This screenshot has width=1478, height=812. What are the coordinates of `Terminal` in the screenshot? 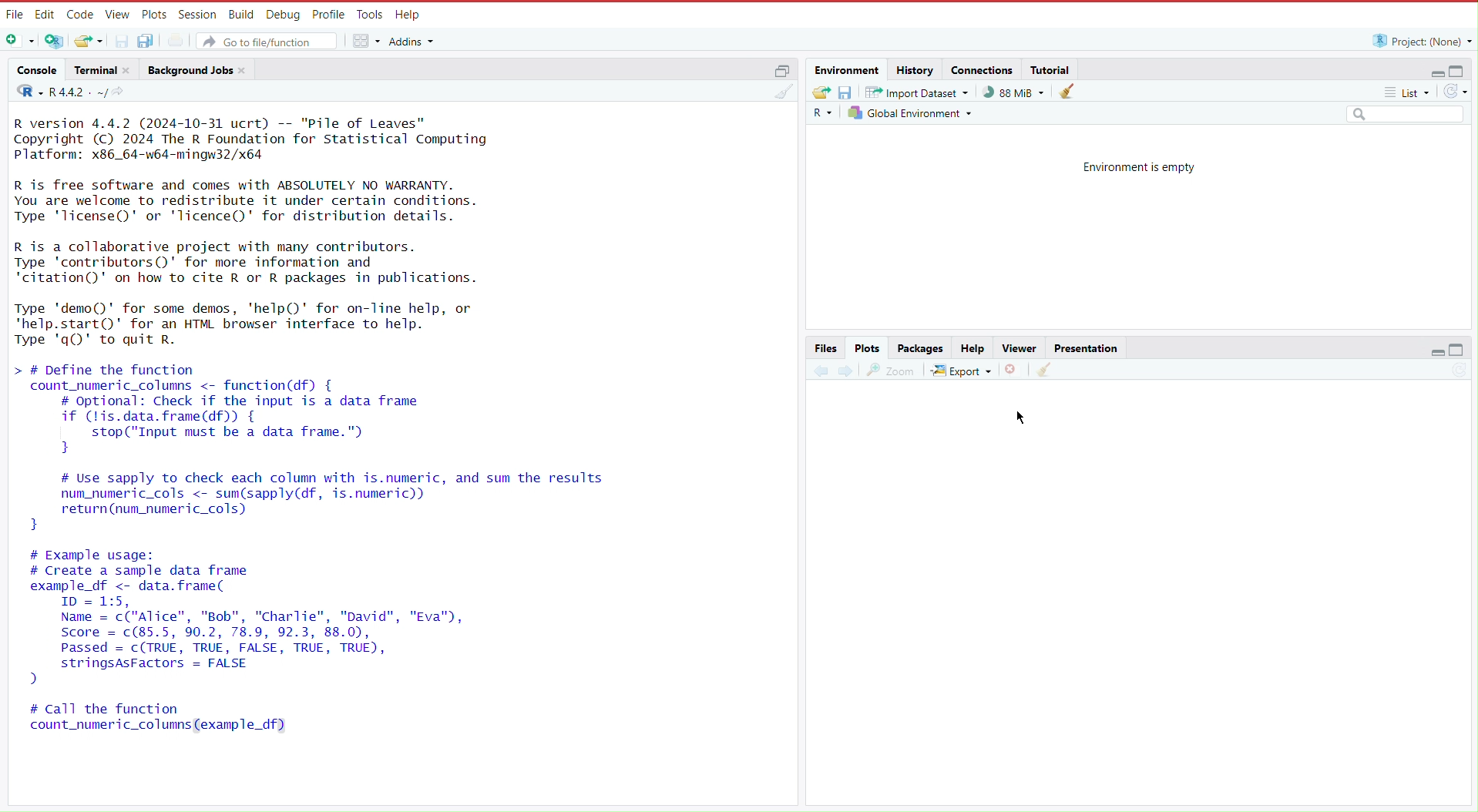 It's located at (102, 70).